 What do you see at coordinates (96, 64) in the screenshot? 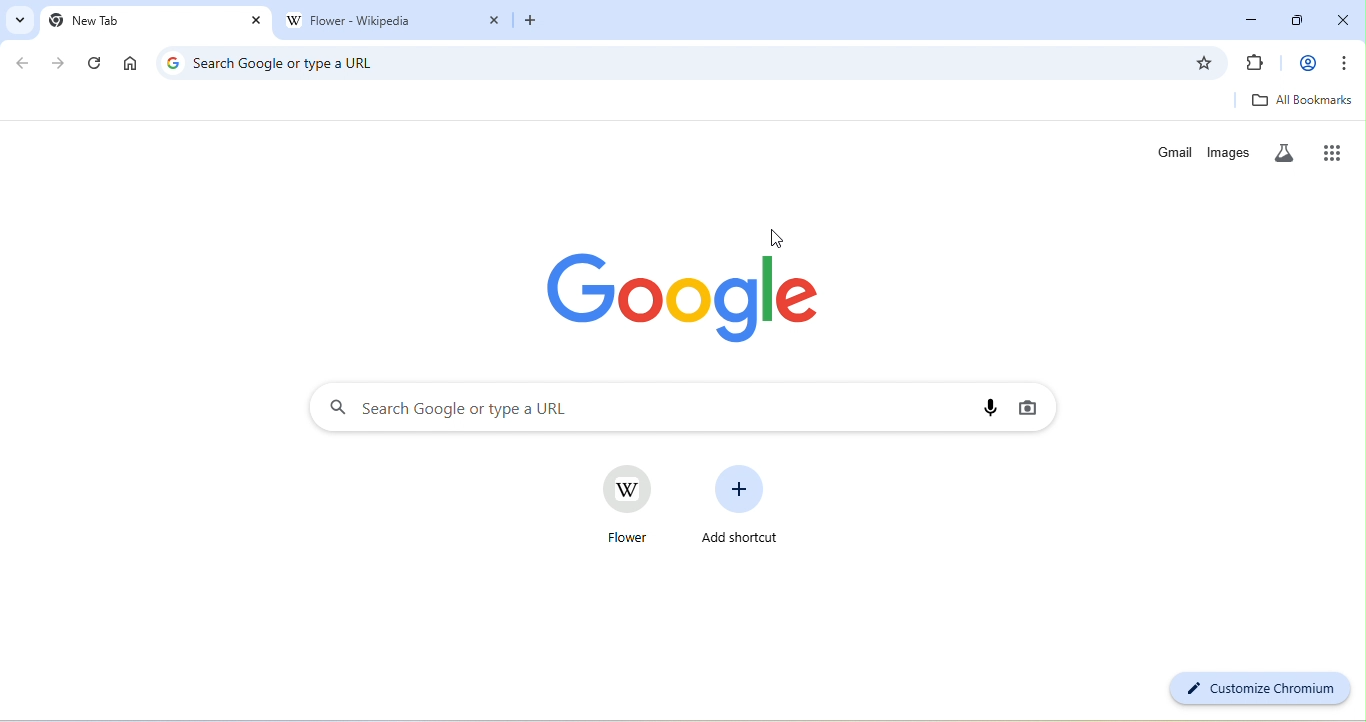
I see `reload the page` at bounding box center [96, 64].